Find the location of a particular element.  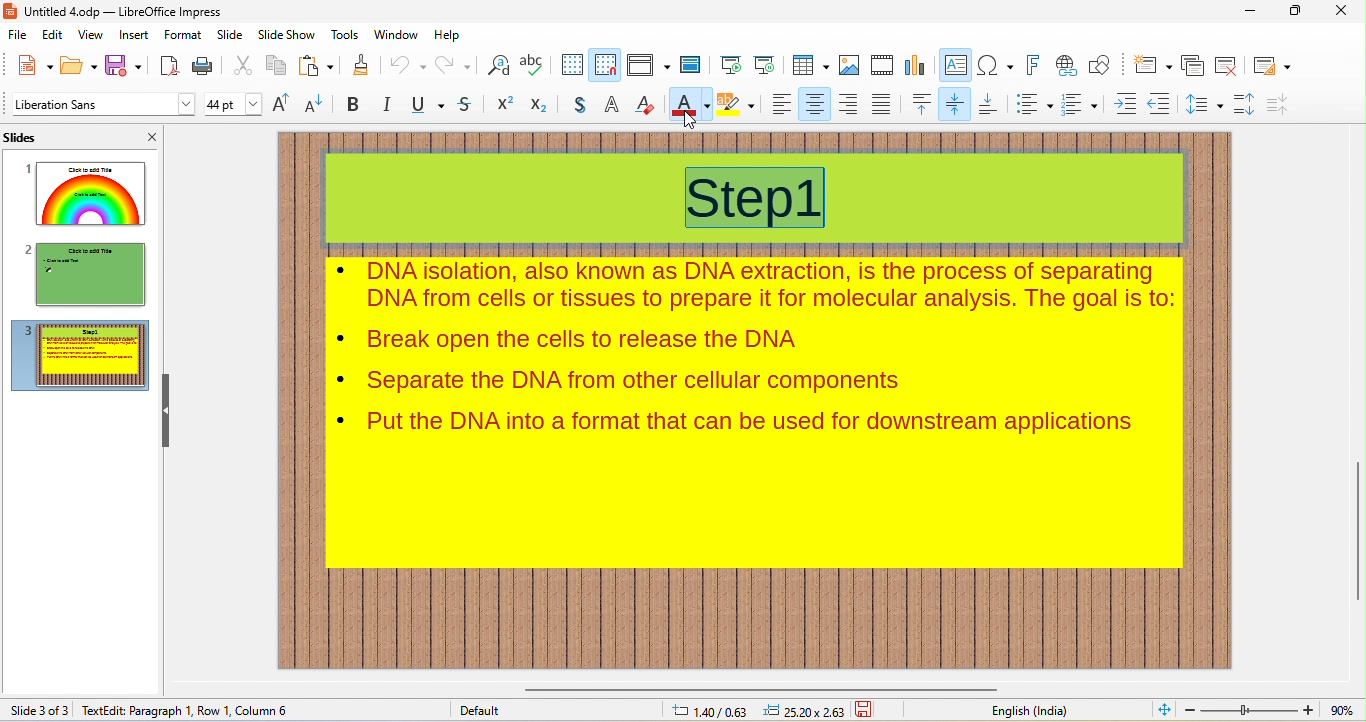

font size is located at coordinates (233, 104).